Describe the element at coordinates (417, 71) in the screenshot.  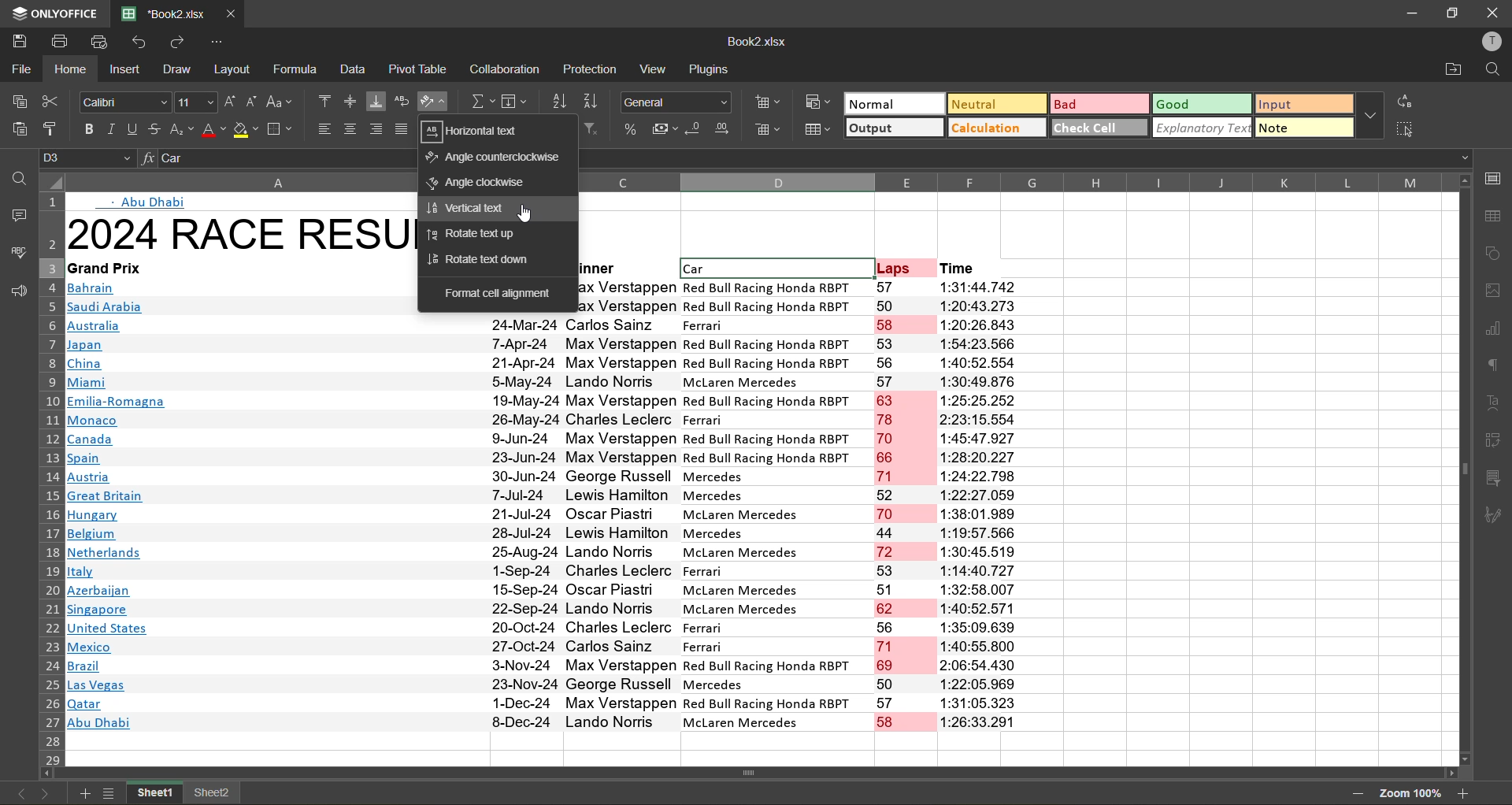
I see `pivot table` at that location.